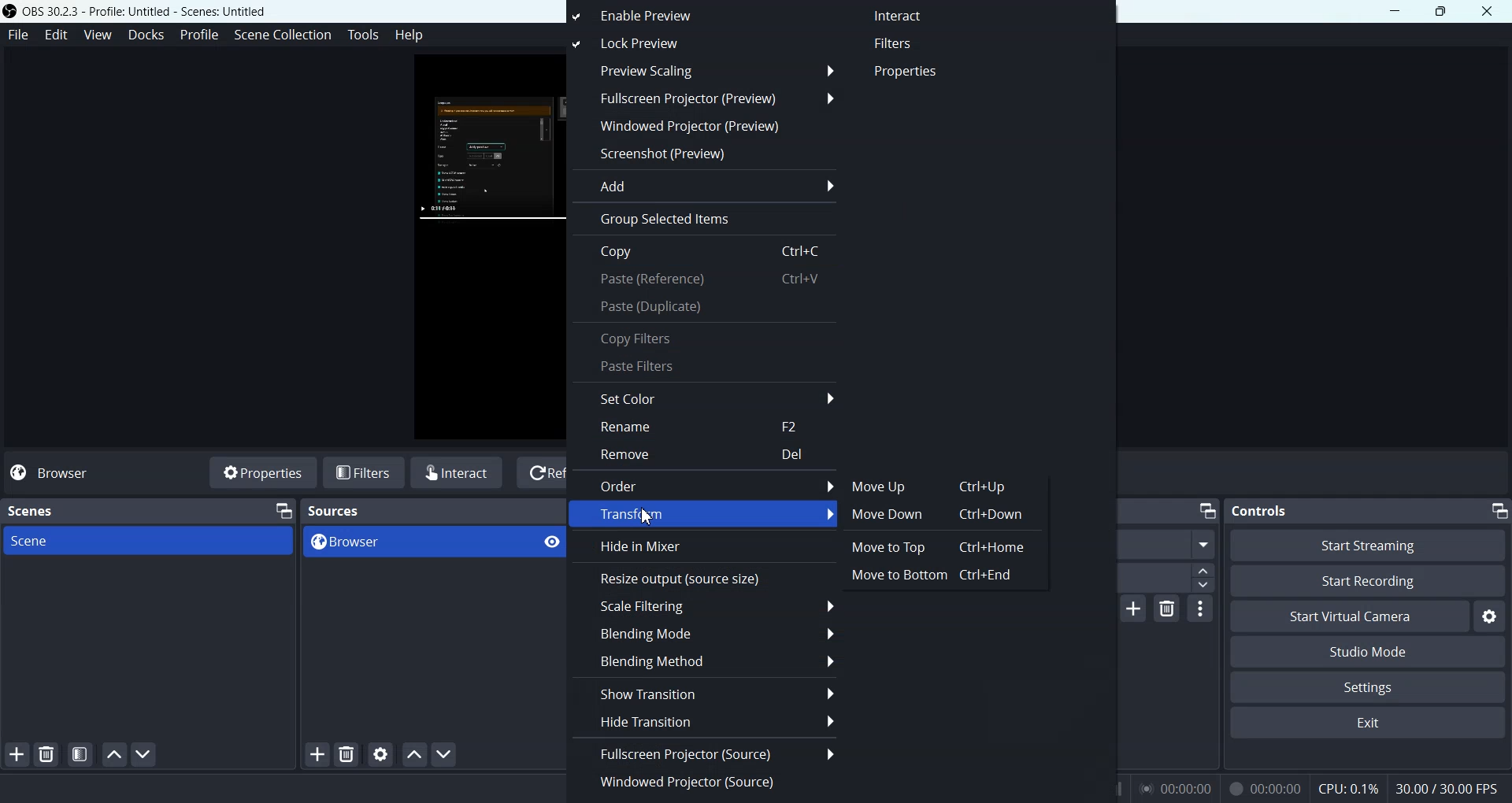  Describe the element at coordinates (413, 542) in the screenshot. I see `Browser` at that location.